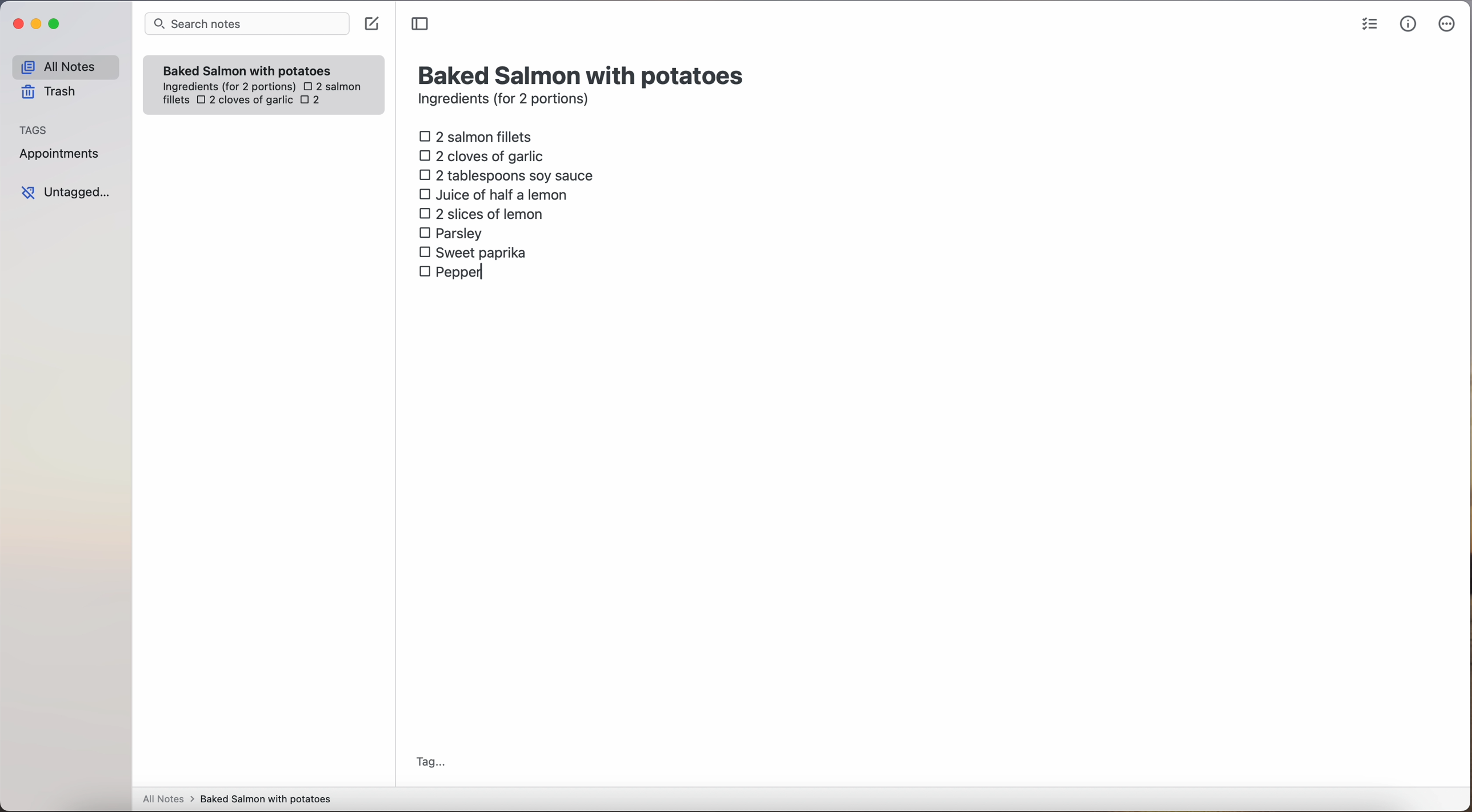  I want to click on pepper, so click(453, 274).